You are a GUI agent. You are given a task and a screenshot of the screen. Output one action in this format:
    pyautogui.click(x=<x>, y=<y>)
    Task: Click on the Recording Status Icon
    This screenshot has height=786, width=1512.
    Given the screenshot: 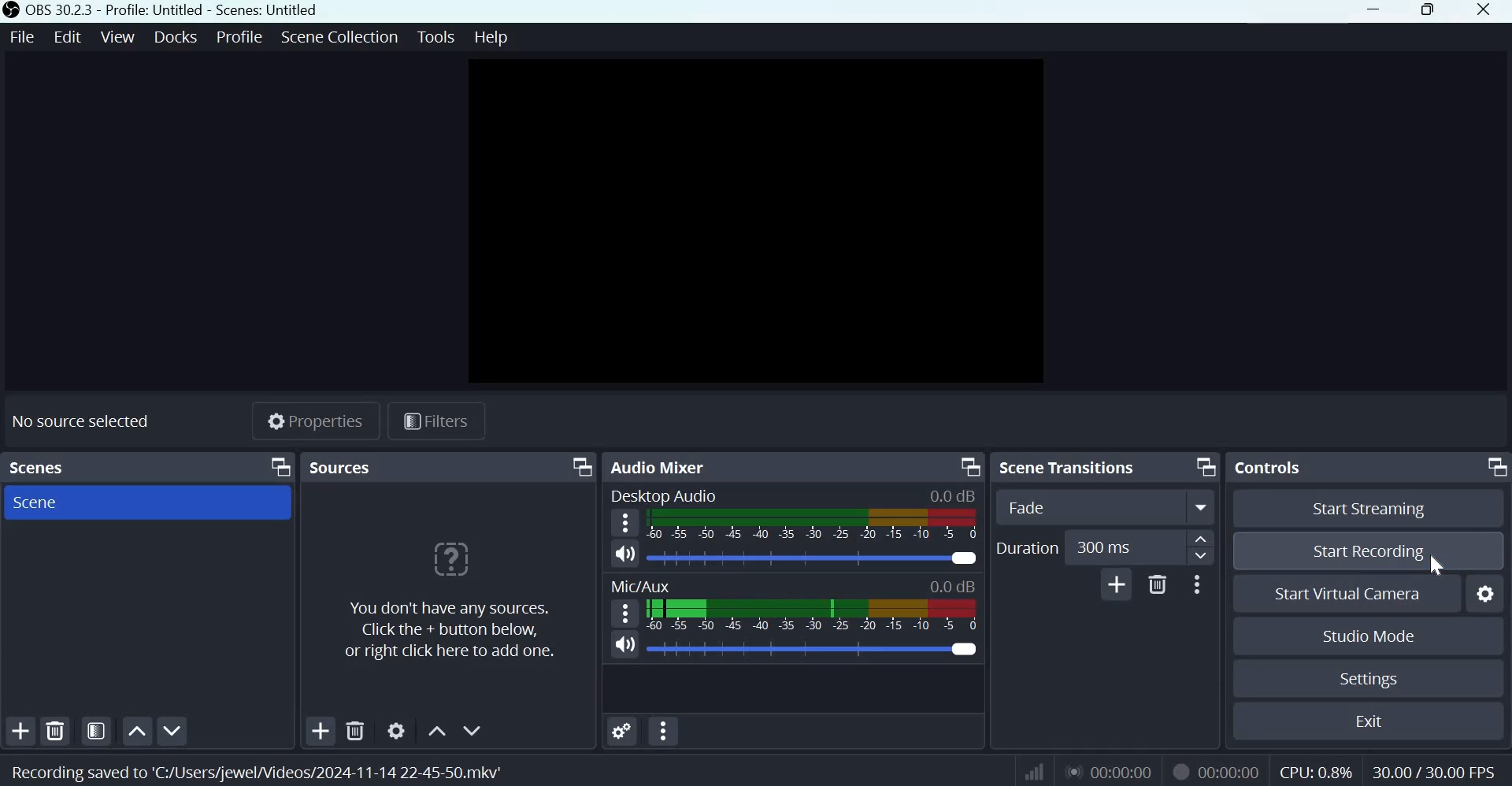 What is the action you would take?
    pyautogui.click(x=1177, y=772)
    